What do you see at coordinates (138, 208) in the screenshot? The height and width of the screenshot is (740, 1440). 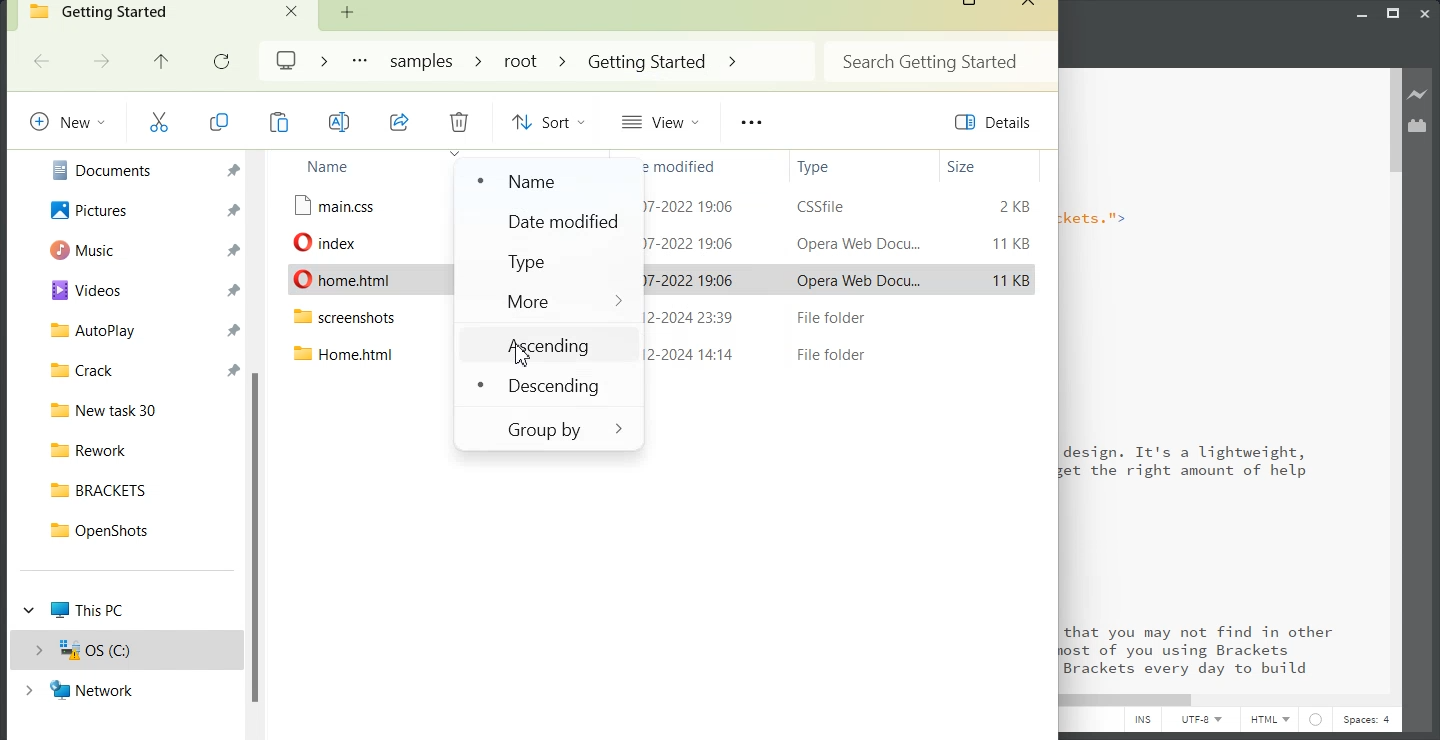 I see `Pictures` at bounding box center [138, 208].